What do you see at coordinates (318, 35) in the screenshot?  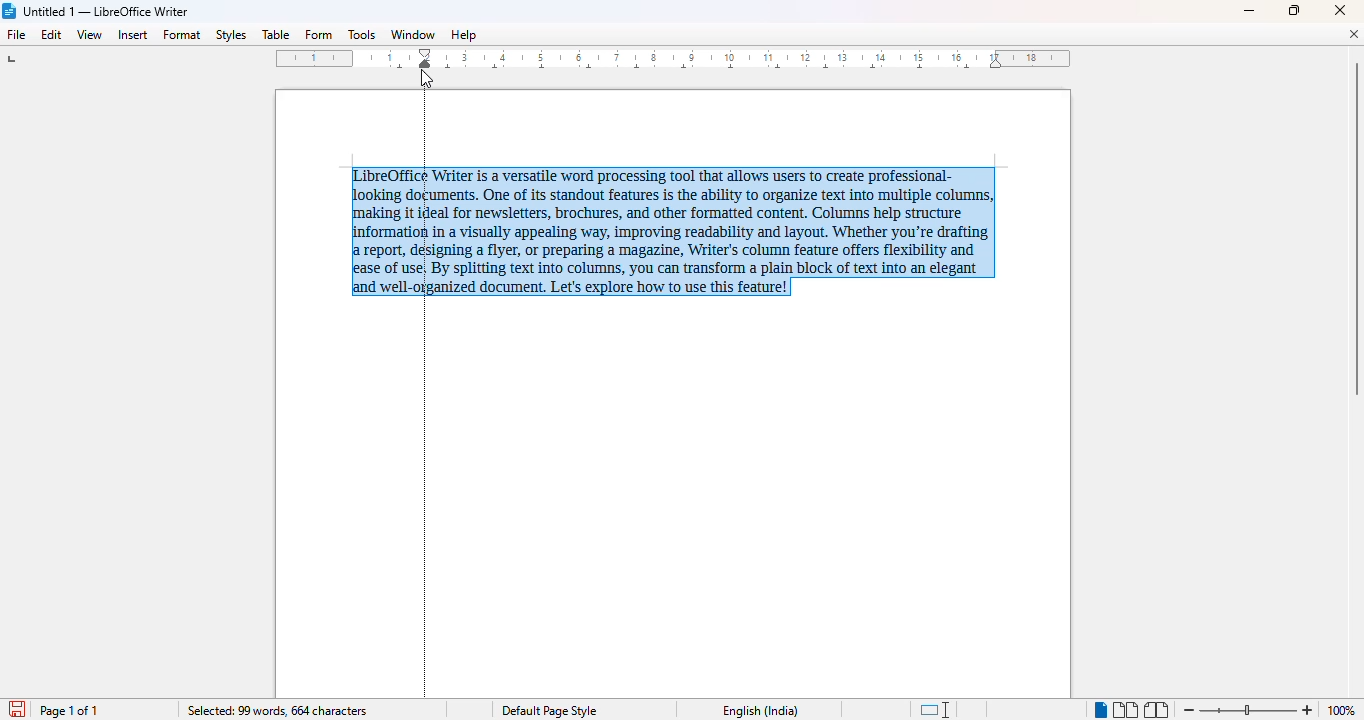 I see `form` at bounding box center [318, 35].